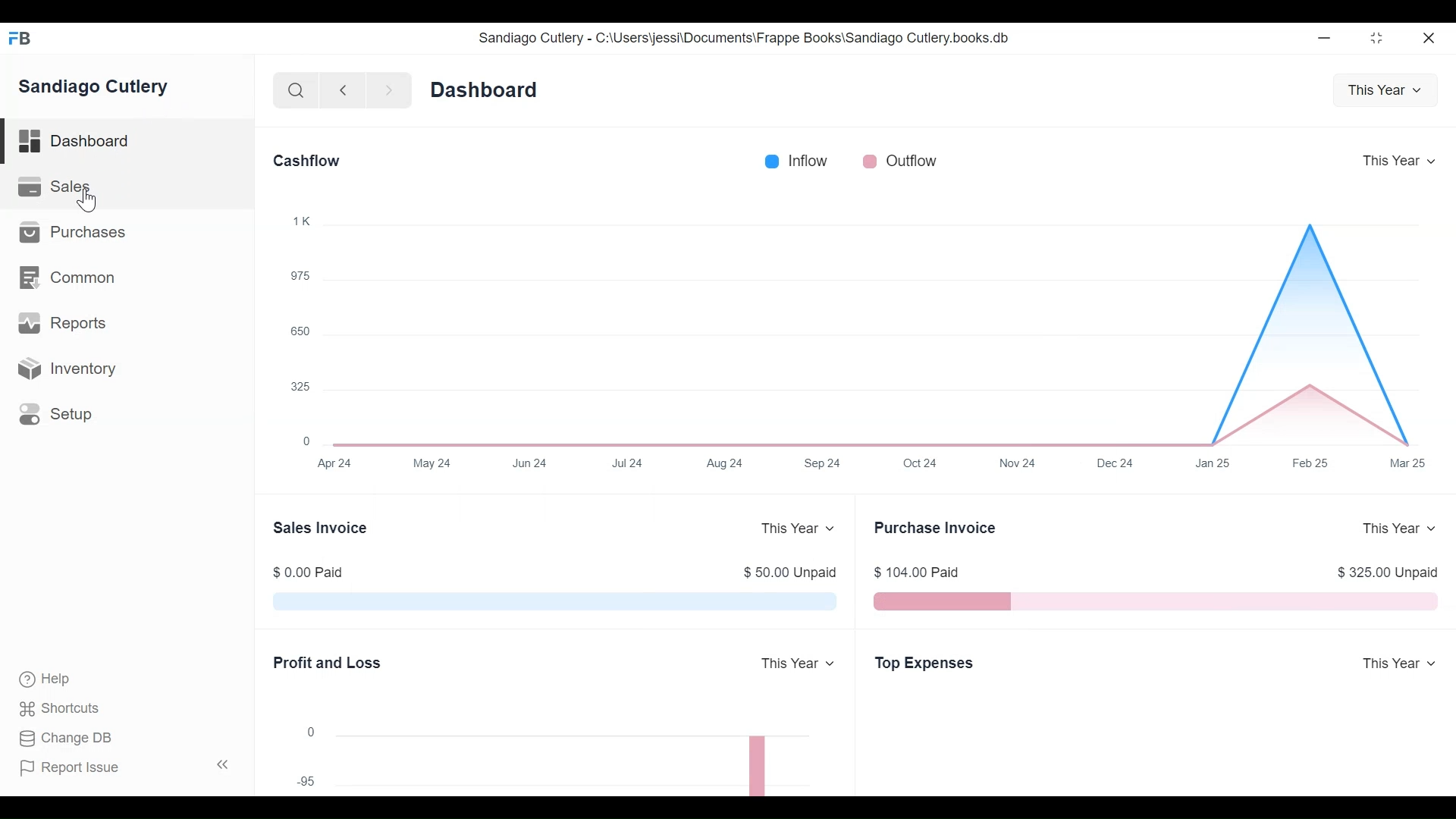 The width and height of the screenshot is (1456, 819). I want to click on Top Expenses, so click(927, 665).